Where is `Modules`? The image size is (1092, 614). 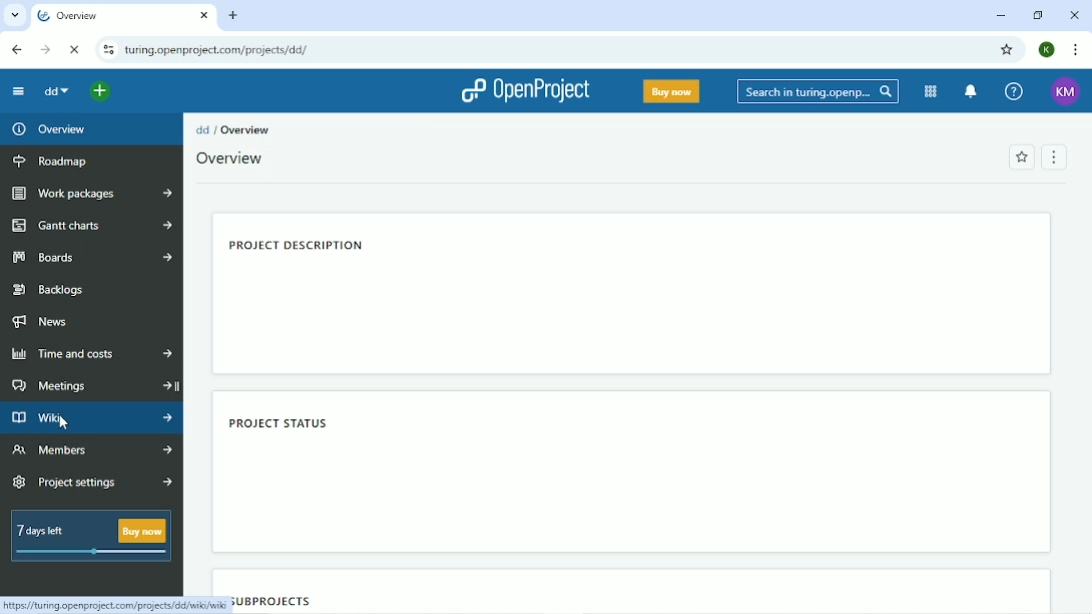
Modules is located at coordinates (931, 92).